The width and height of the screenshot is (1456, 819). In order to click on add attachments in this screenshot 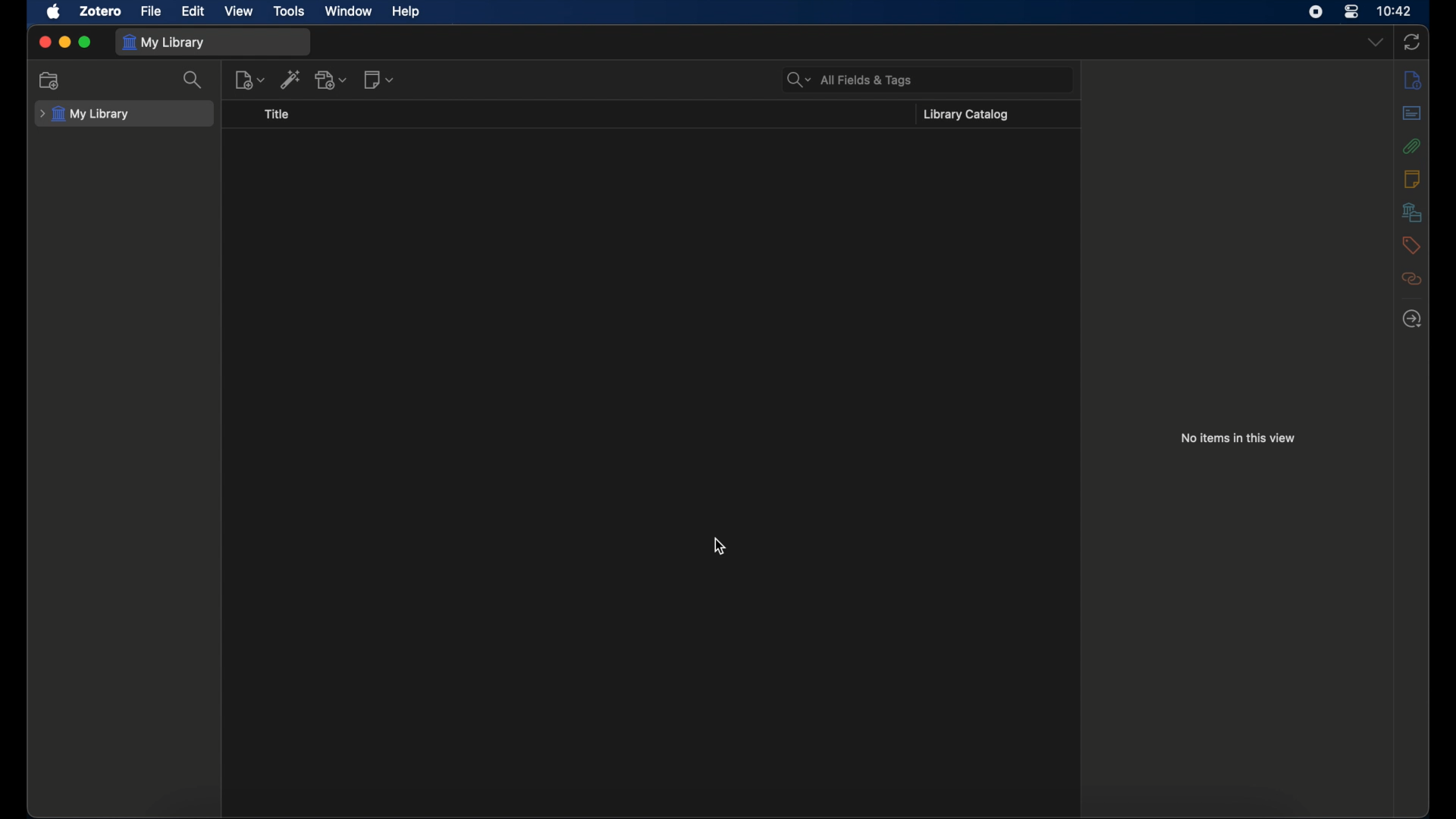, I will do `click(331, 80)`.